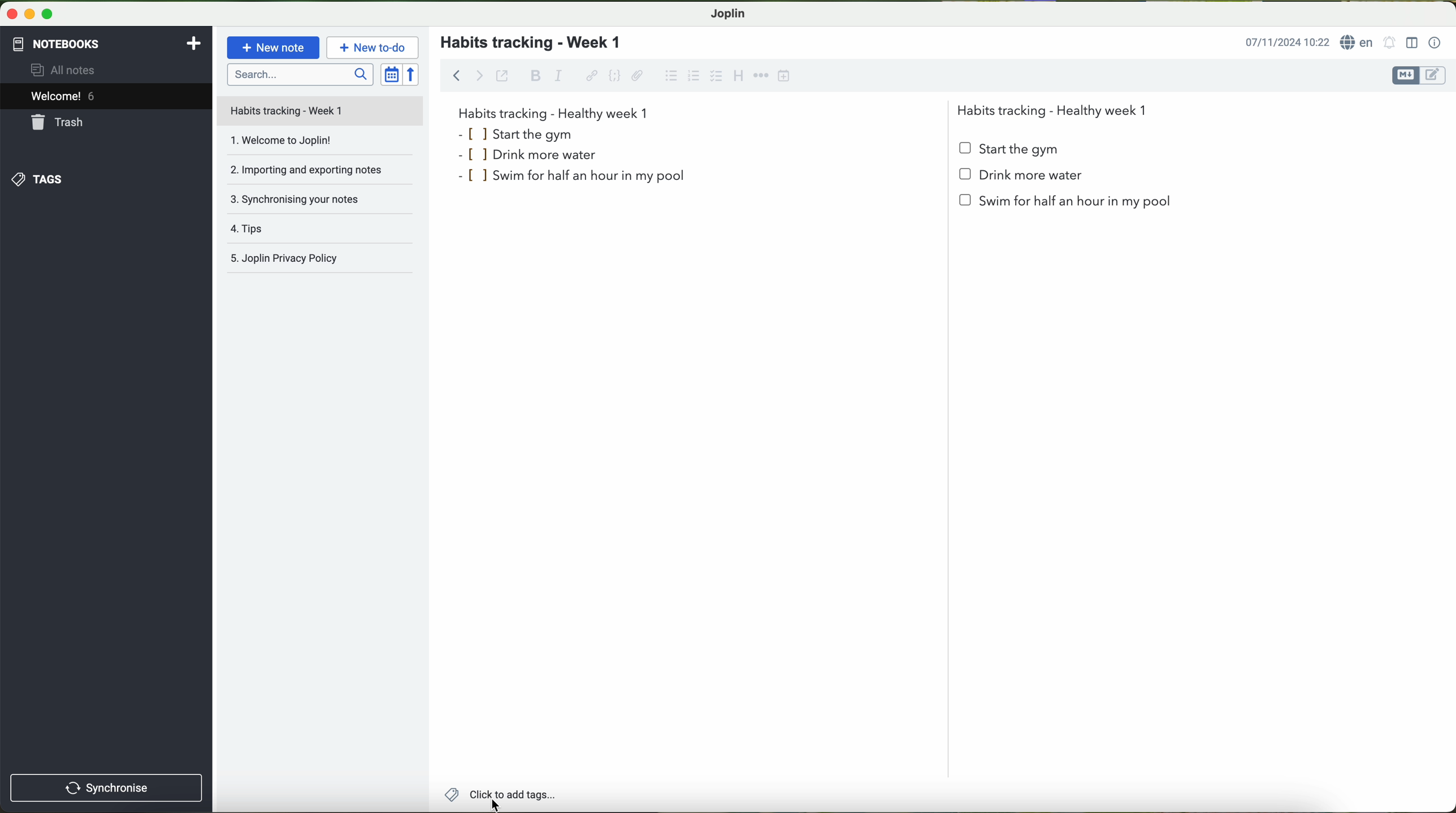 Image resolution: width=1456 pixels, height=813 pixels. Describe the element at coordinates (372, 47) in the screenshot. I see `new to-do button` at that location.